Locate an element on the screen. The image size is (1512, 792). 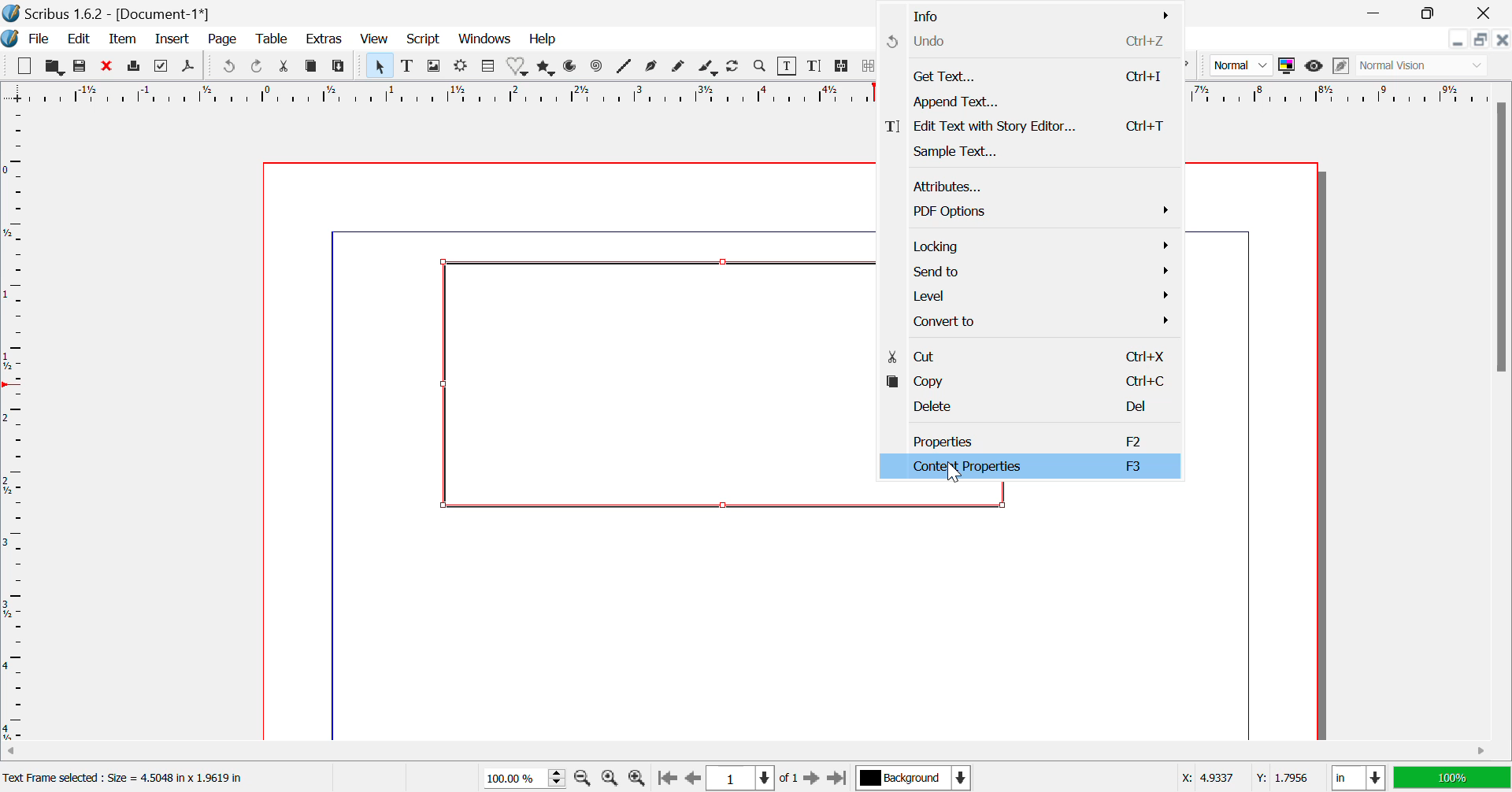
Close is located at coordinates (1503, 40).